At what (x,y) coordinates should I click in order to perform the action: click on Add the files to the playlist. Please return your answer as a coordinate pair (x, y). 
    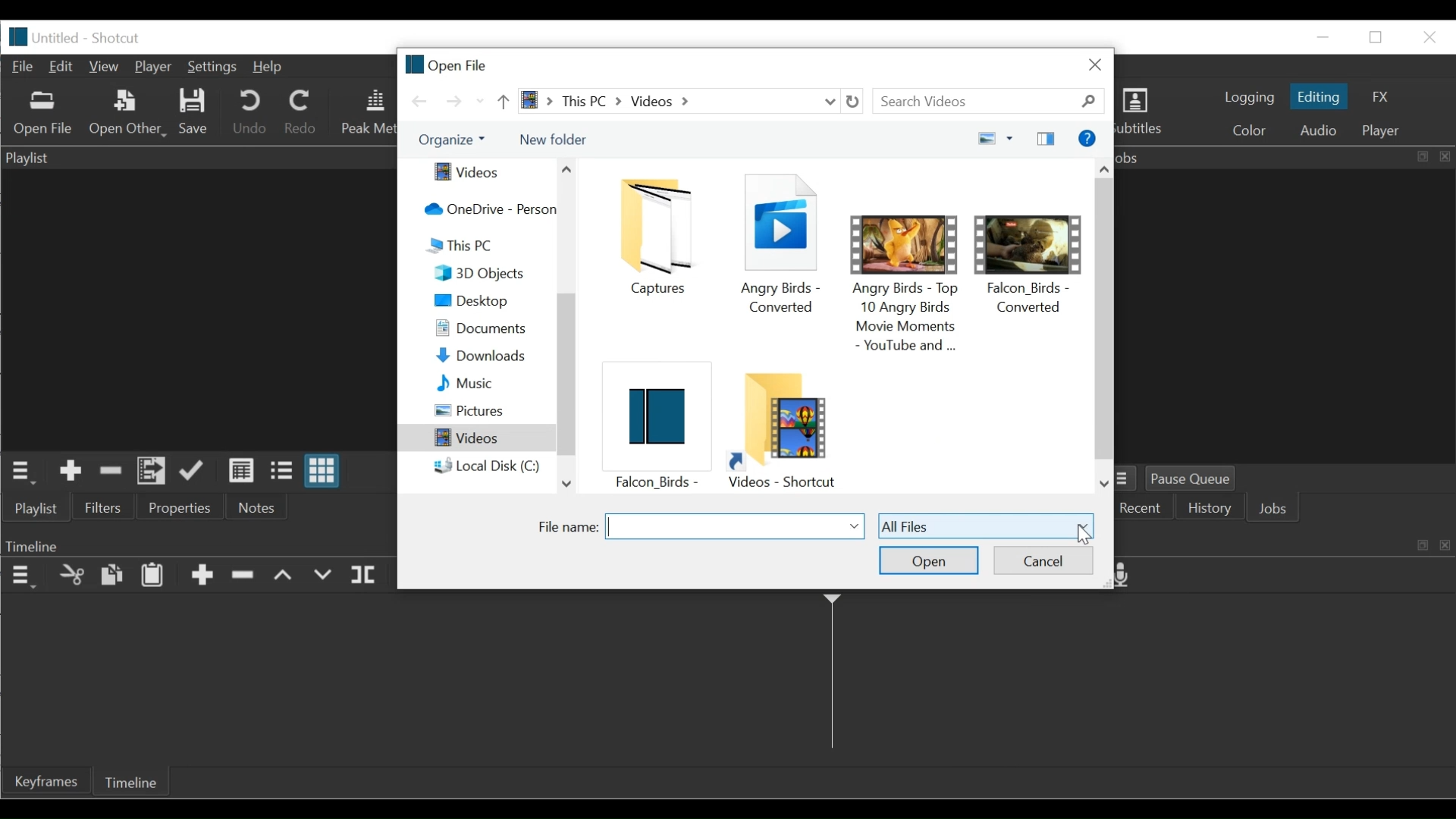
    Looking at the image, I should click on (151, 471).